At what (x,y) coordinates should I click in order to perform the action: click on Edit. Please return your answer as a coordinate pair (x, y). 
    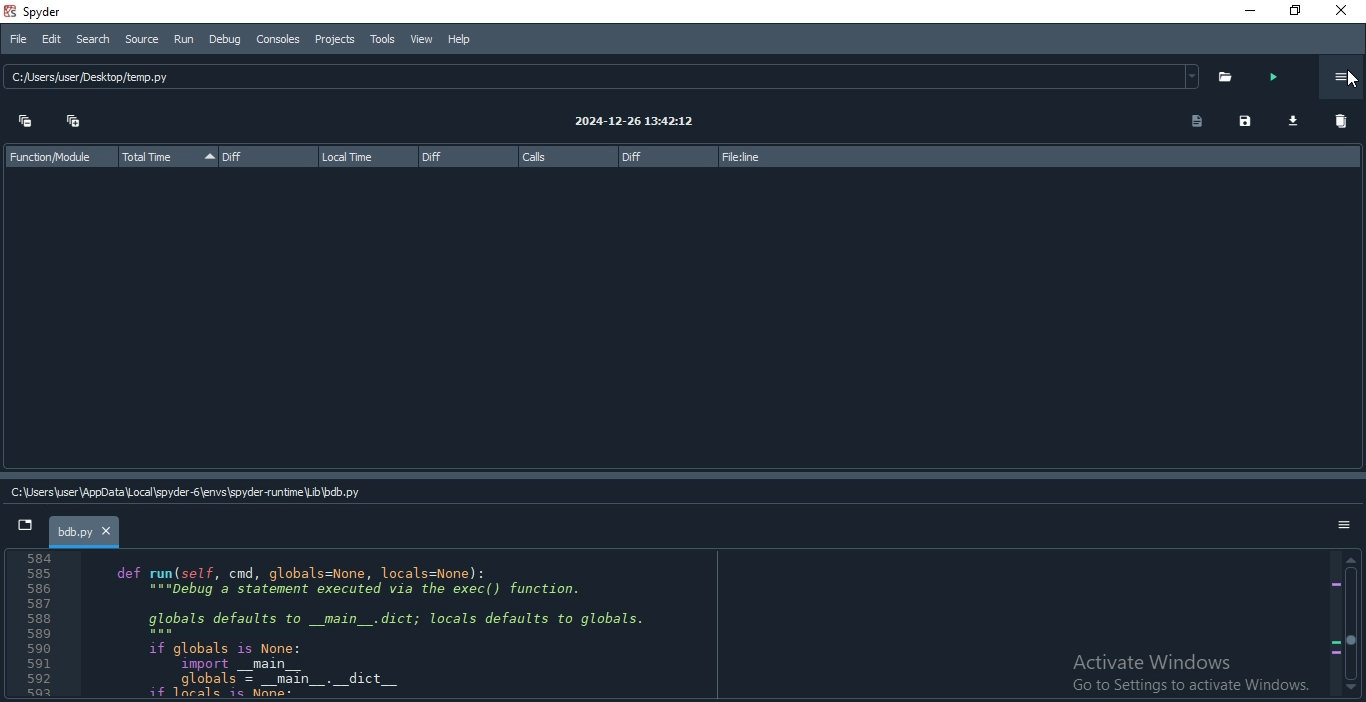
    Looking at the image, I should click on (51, 38).